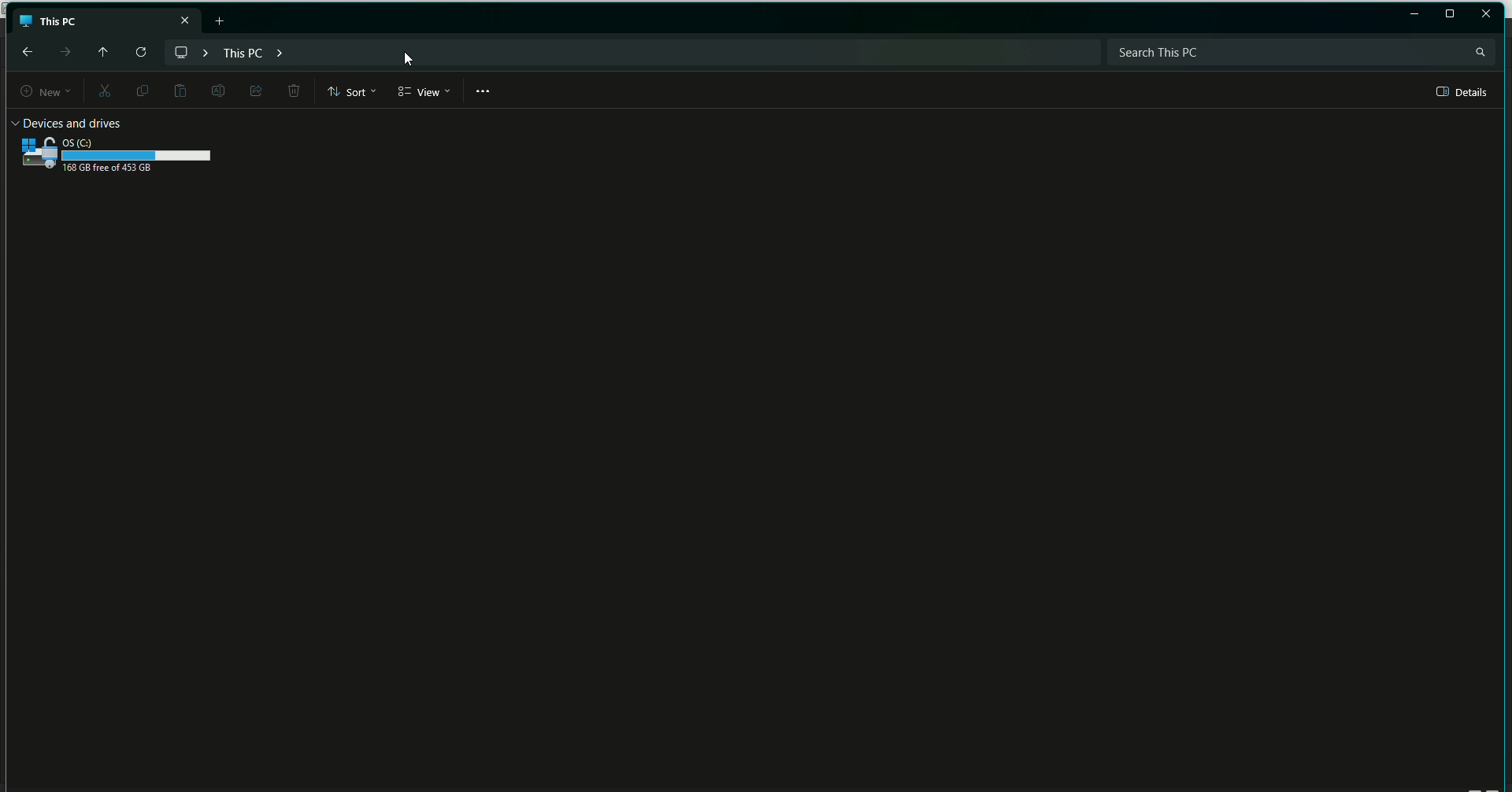 The height and width of the screenshot is (792, 1512). I want to click on New, so click(38, 92).